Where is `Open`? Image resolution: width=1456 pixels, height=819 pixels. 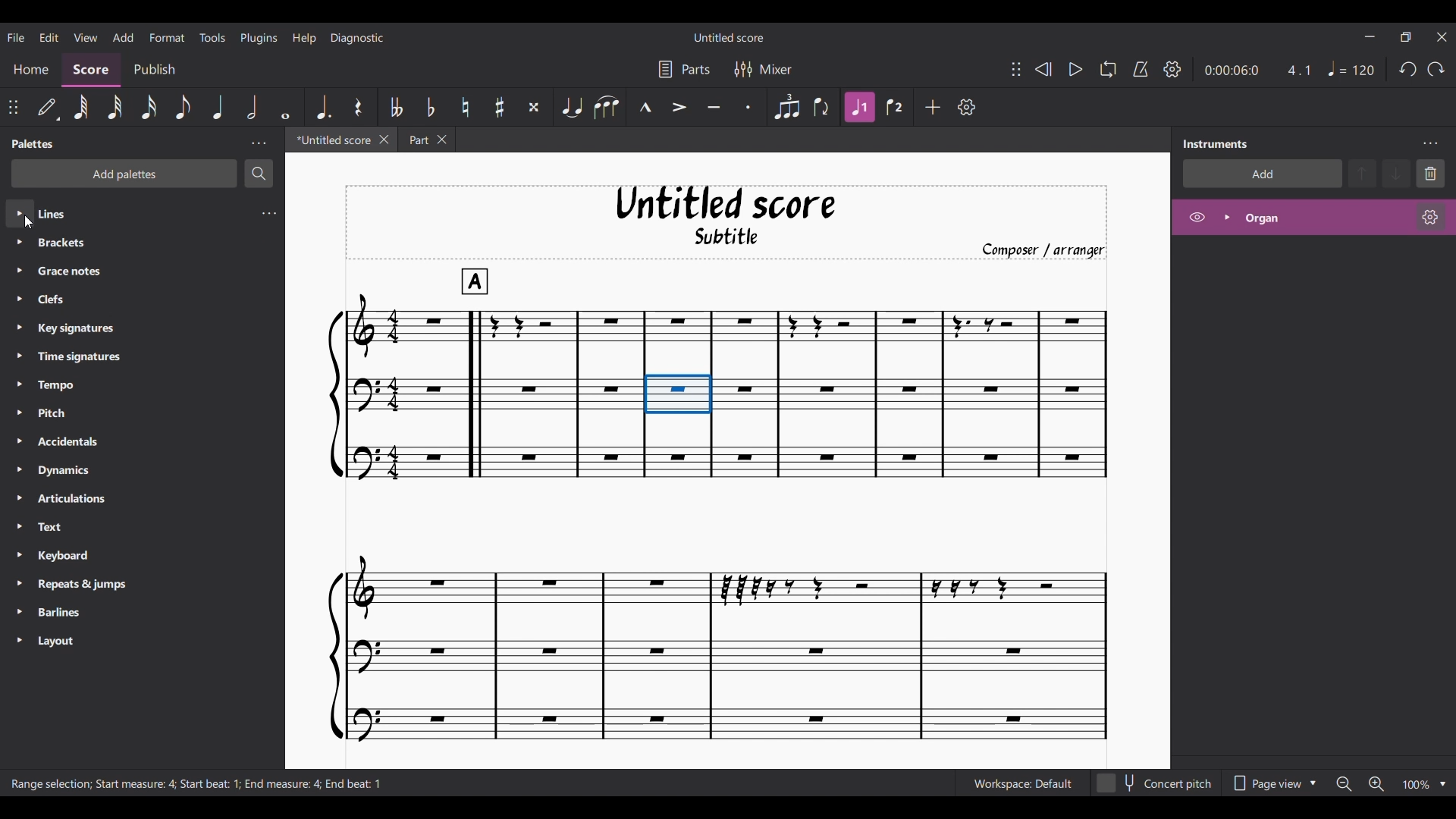
Open is located at coordinates (1312, 218).